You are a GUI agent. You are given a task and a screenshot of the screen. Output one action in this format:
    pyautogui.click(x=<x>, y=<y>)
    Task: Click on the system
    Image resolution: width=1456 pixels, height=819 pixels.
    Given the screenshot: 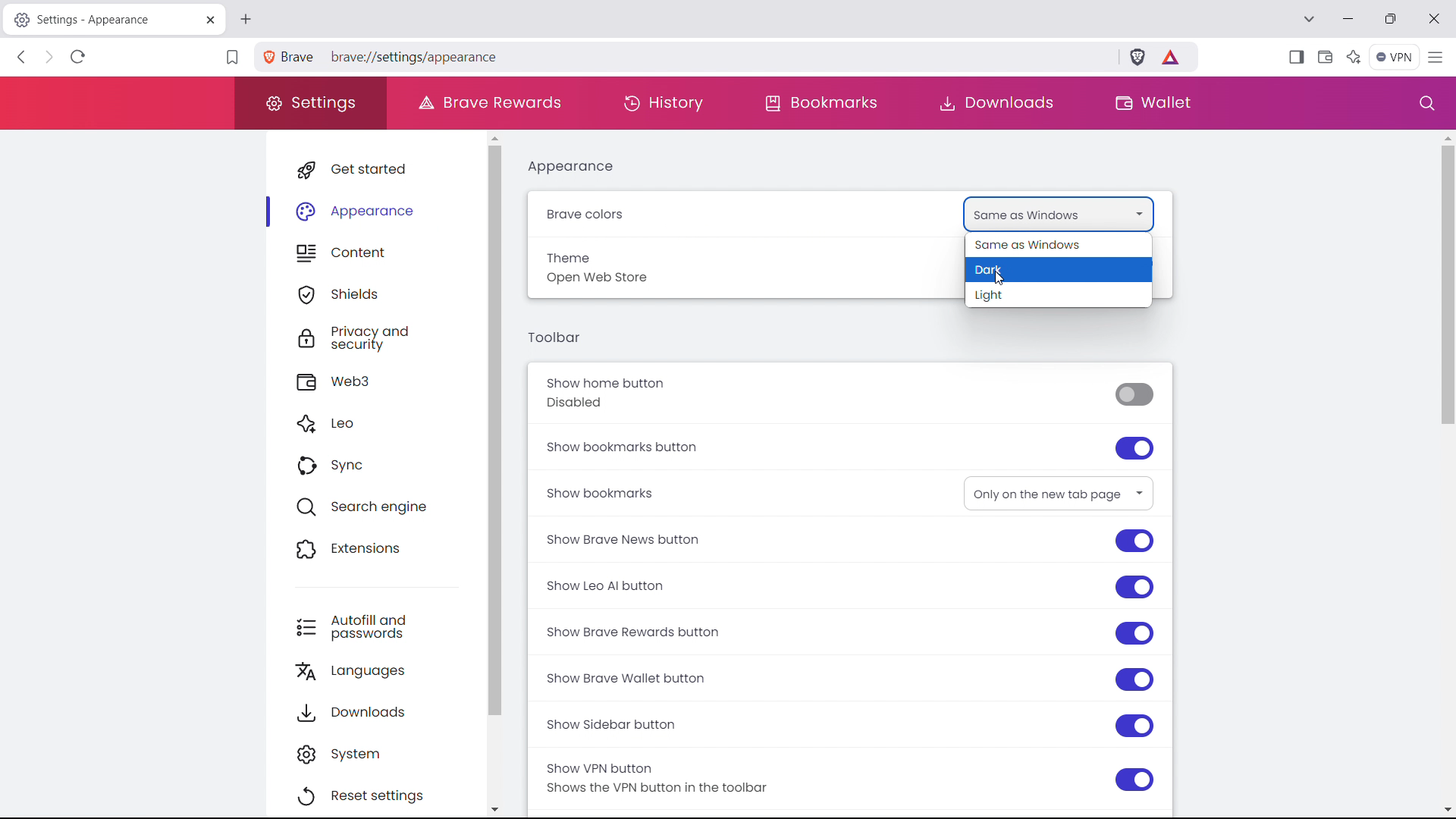 What is the action you would take?
    pyautogui.click(x=381, y=751)
    